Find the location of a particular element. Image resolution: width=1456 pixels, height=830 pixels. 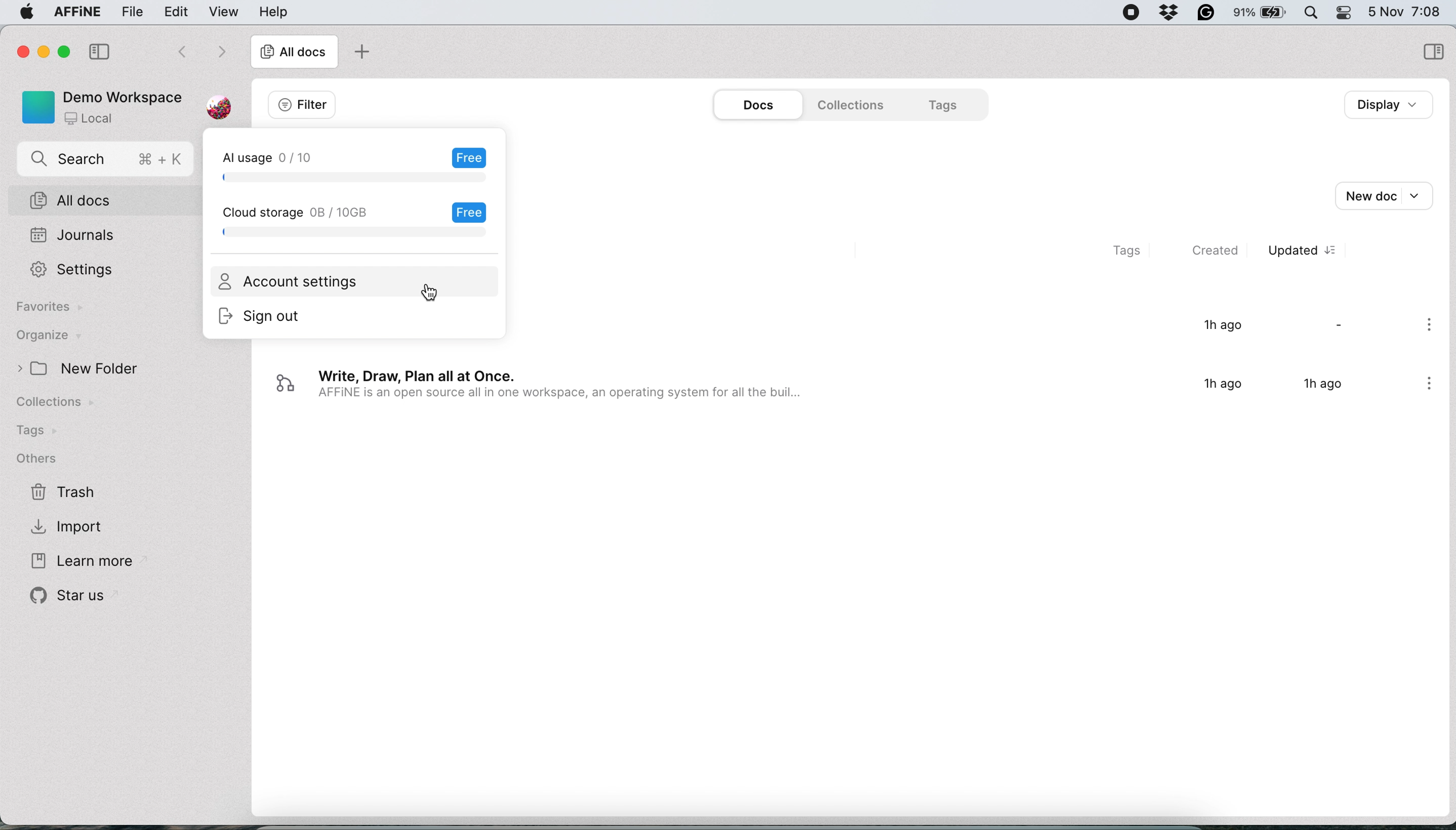

search is located at coordinates (107, 160).